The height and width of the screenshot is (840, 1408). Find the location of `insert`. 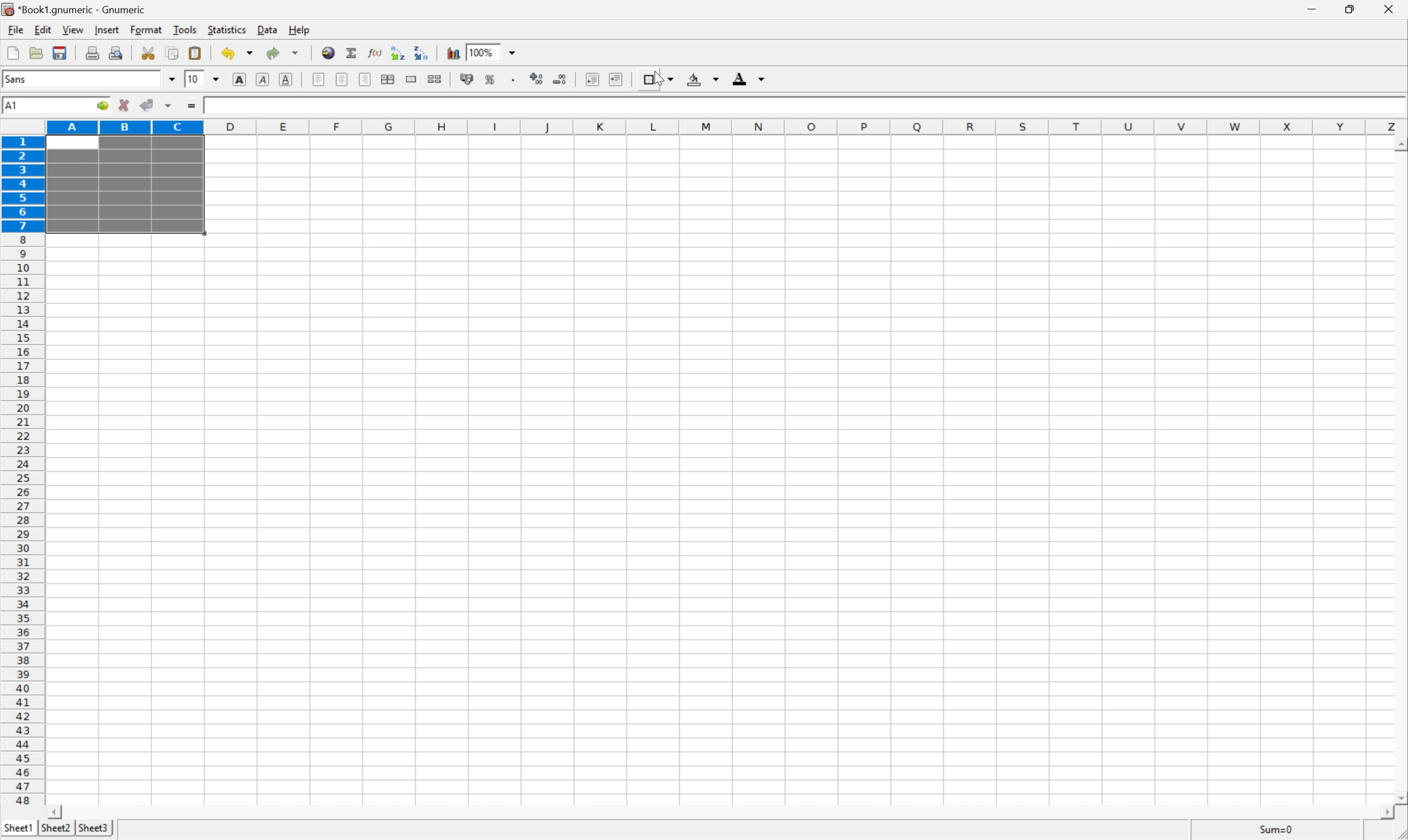

insert is located at coordinates (106, 30).